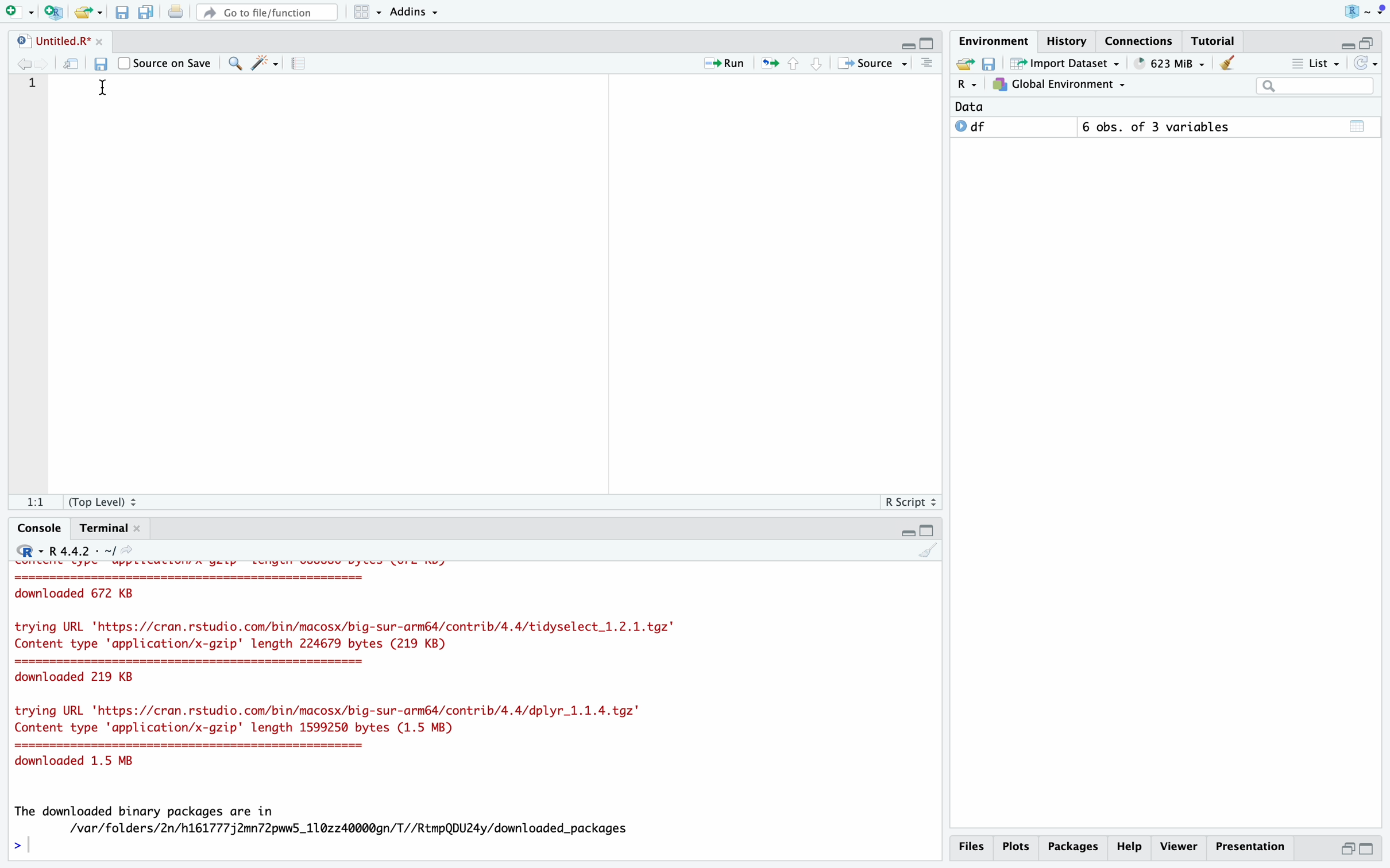 The height and width of the screenshot is (868, 1390). I want to click on R 4.4.2 - ~/, so click(75, 550).